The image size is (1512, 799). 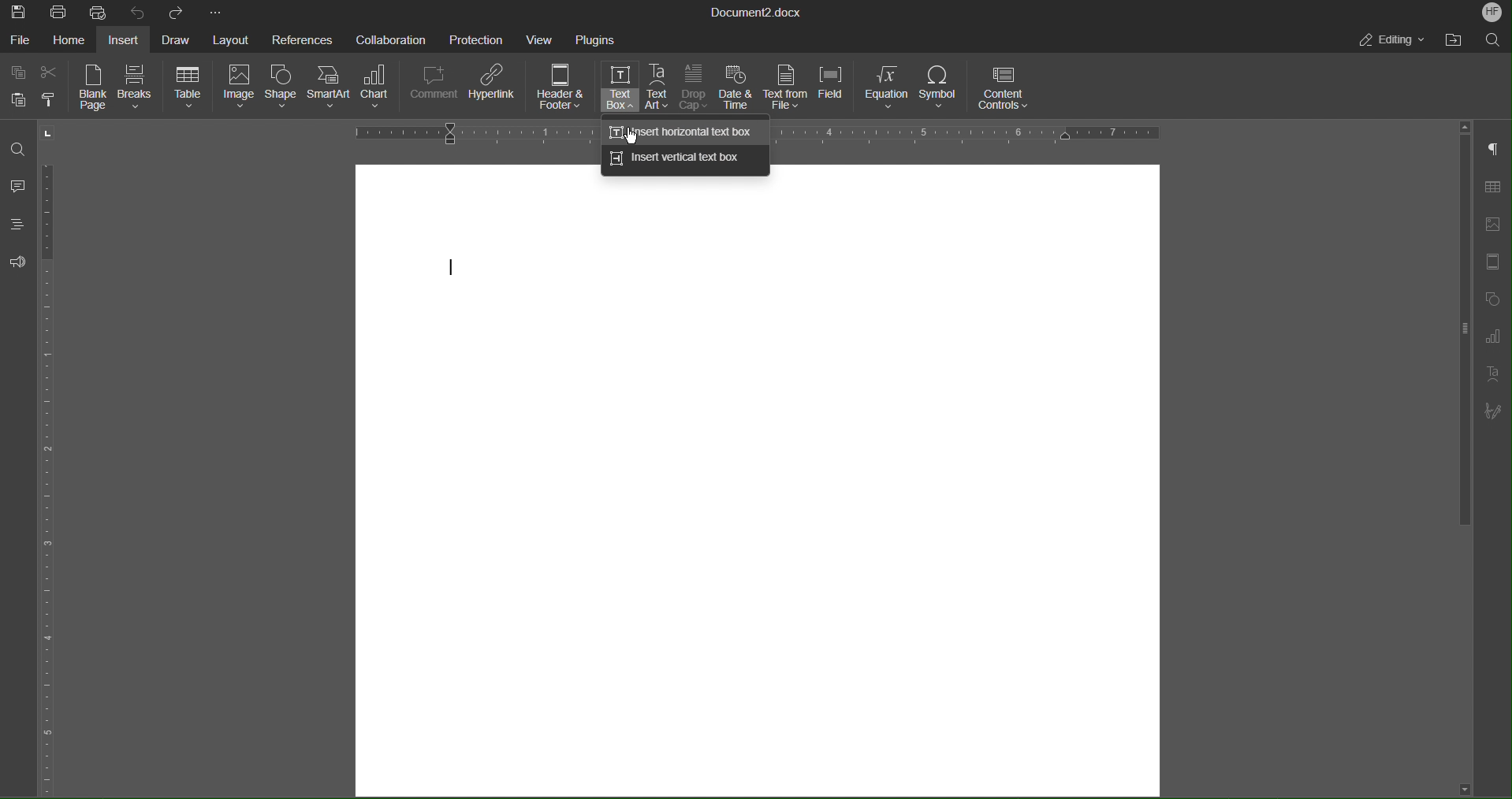 I want to click on Shape Settings, so click(x=1490, y=298).